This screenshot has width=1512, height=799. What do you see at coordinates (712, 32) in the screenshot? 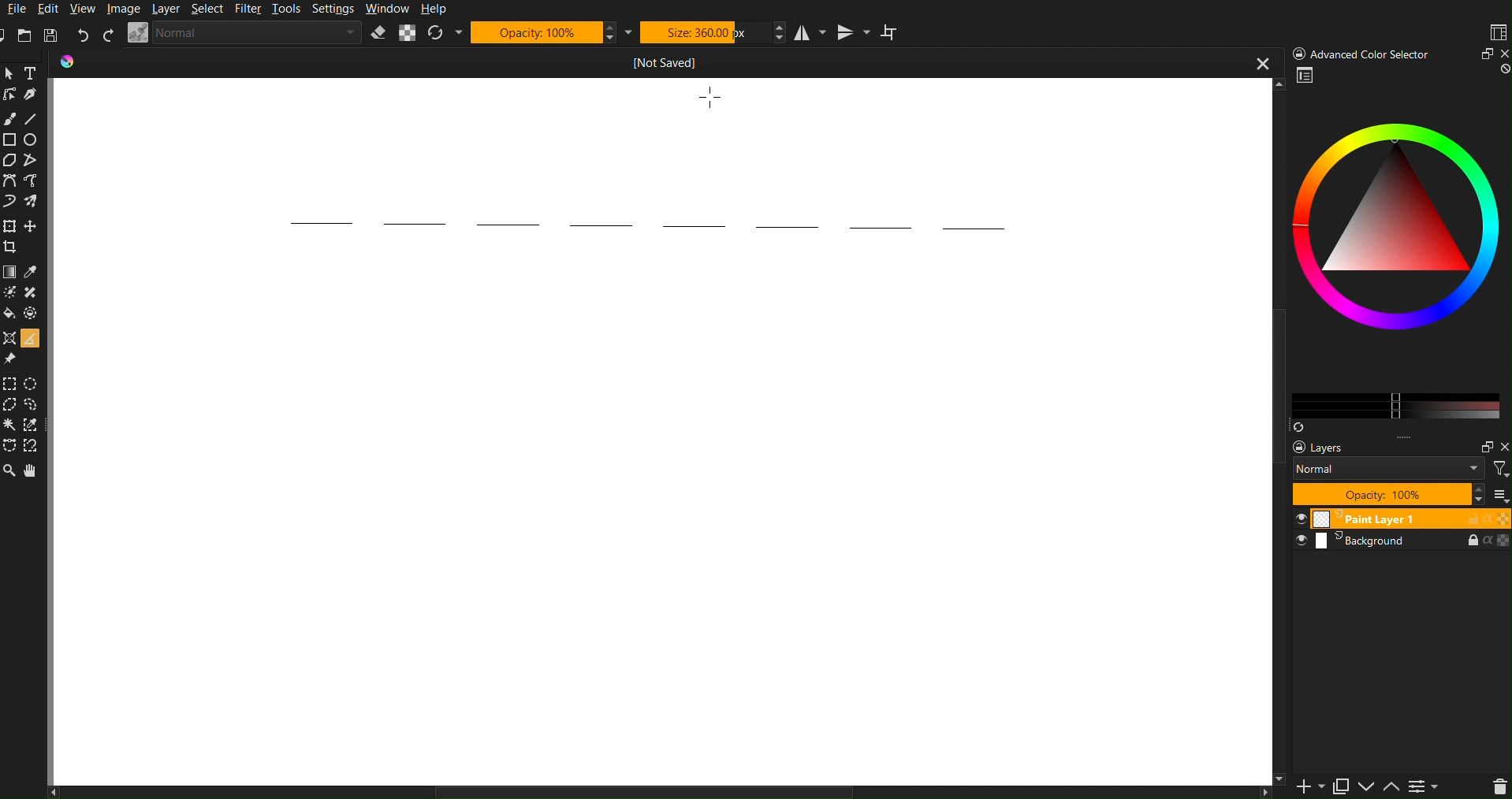
I see `Size` at bounding box center [712, 32].